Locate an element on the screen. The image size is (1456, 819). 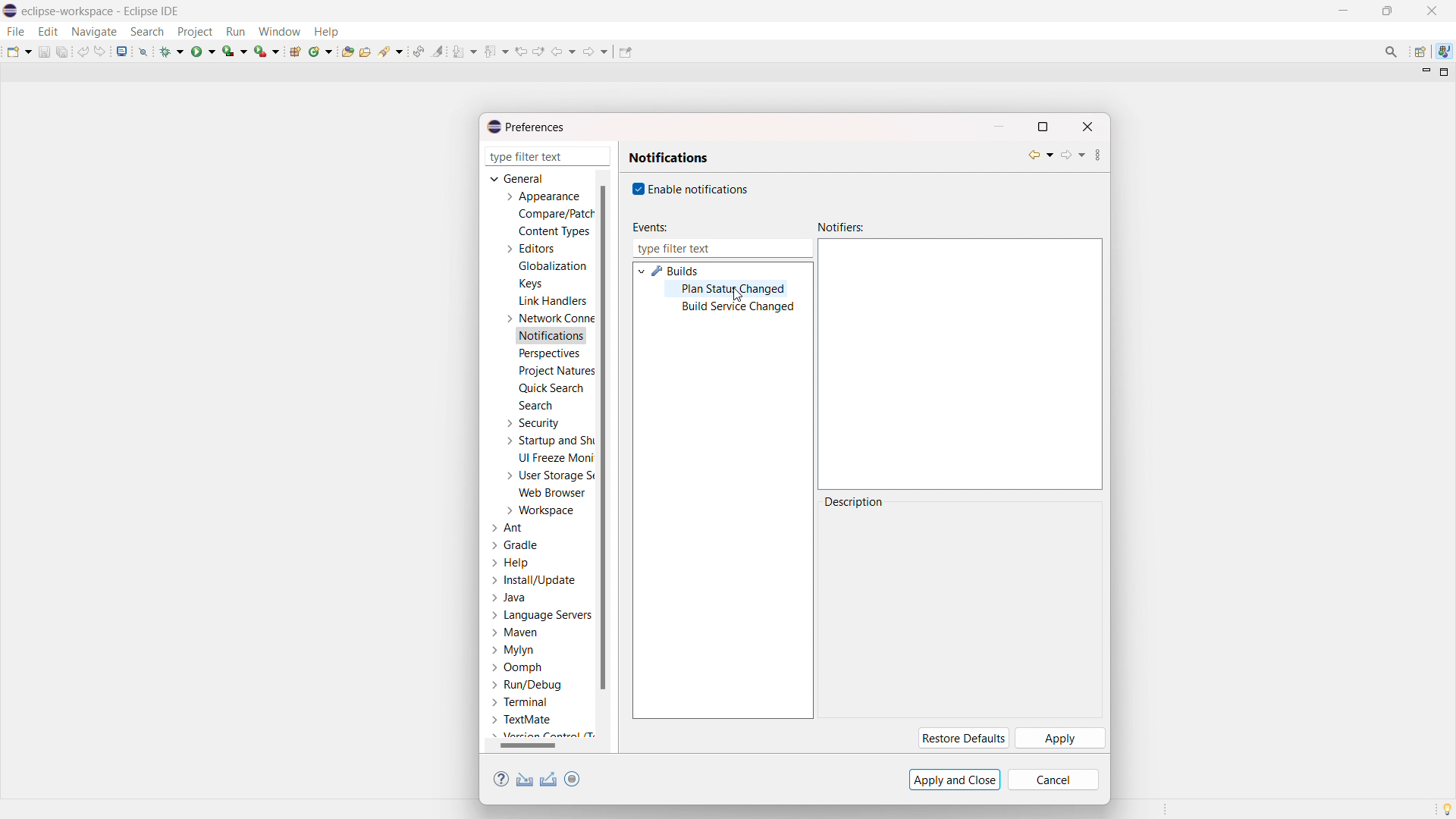
toggle oomph preference recorder is located at coordinates (572, 779).